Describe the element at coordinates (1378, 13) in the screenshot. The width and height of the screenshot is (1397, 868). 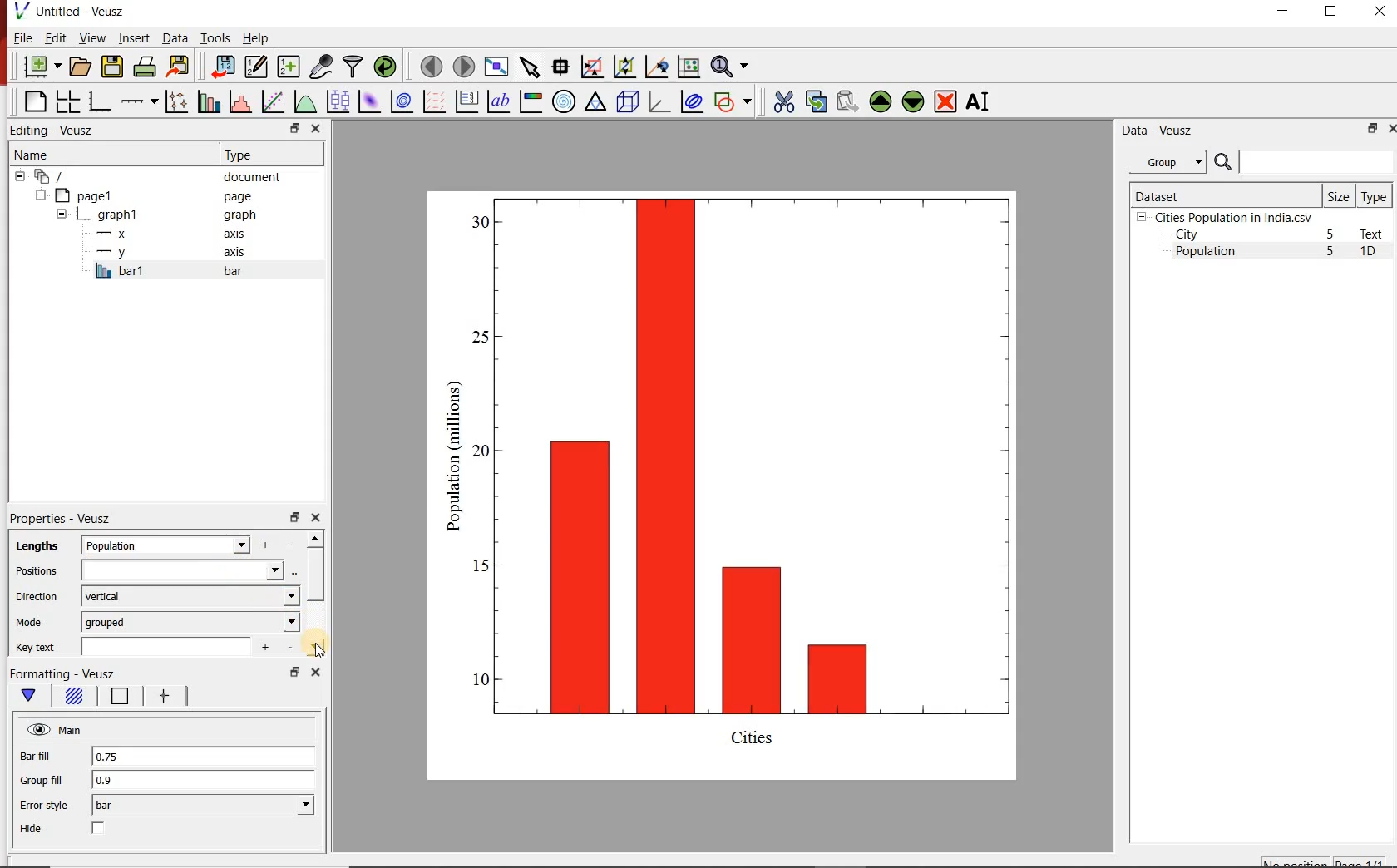
I see `CLOSE` at that location.